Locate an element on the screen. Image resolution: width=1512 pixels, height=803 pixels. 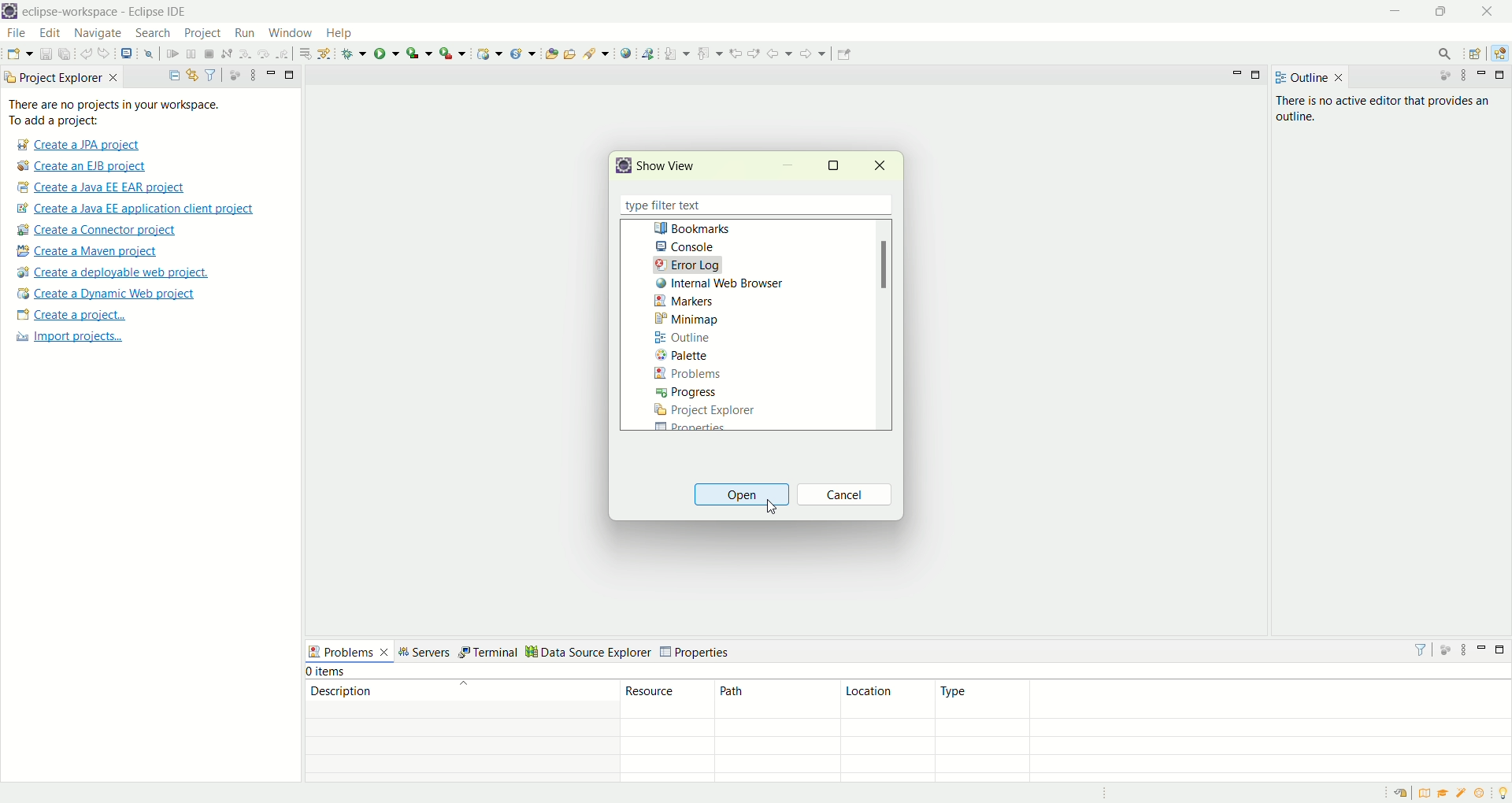
open type is located at coordinates (550, 52).